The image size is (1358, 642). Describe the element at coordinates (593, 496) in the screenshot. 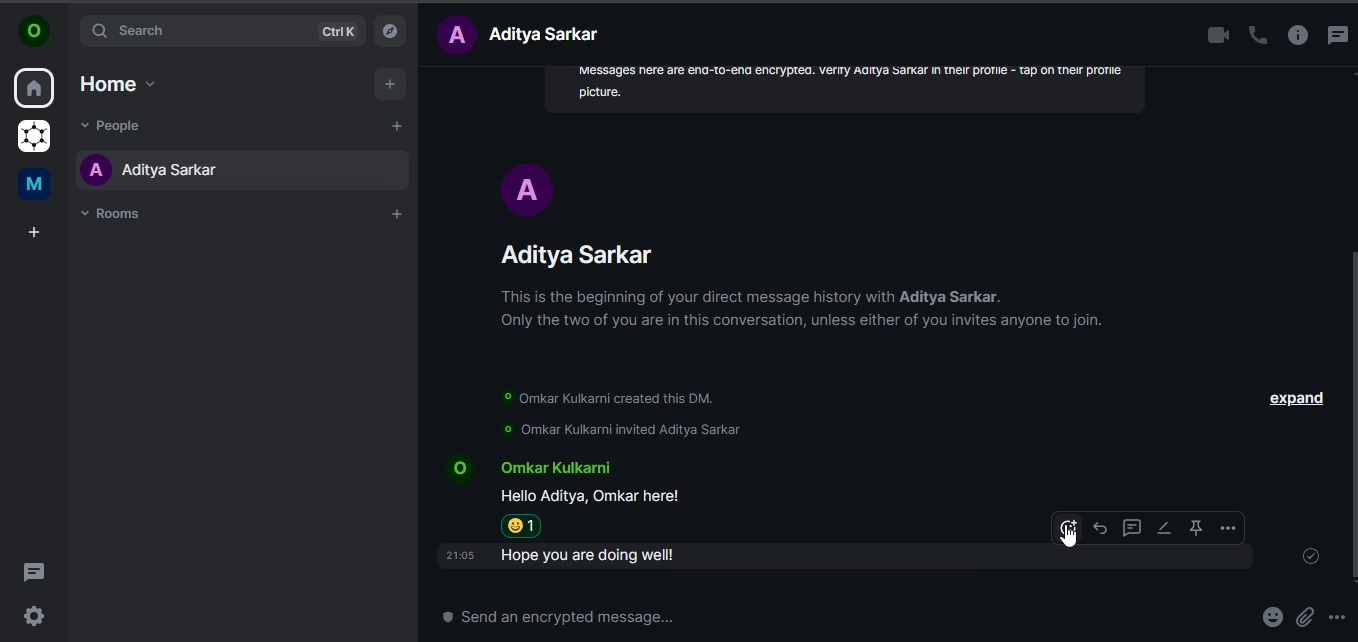

I see `Hello Aditya, Omkar here!` at that location.